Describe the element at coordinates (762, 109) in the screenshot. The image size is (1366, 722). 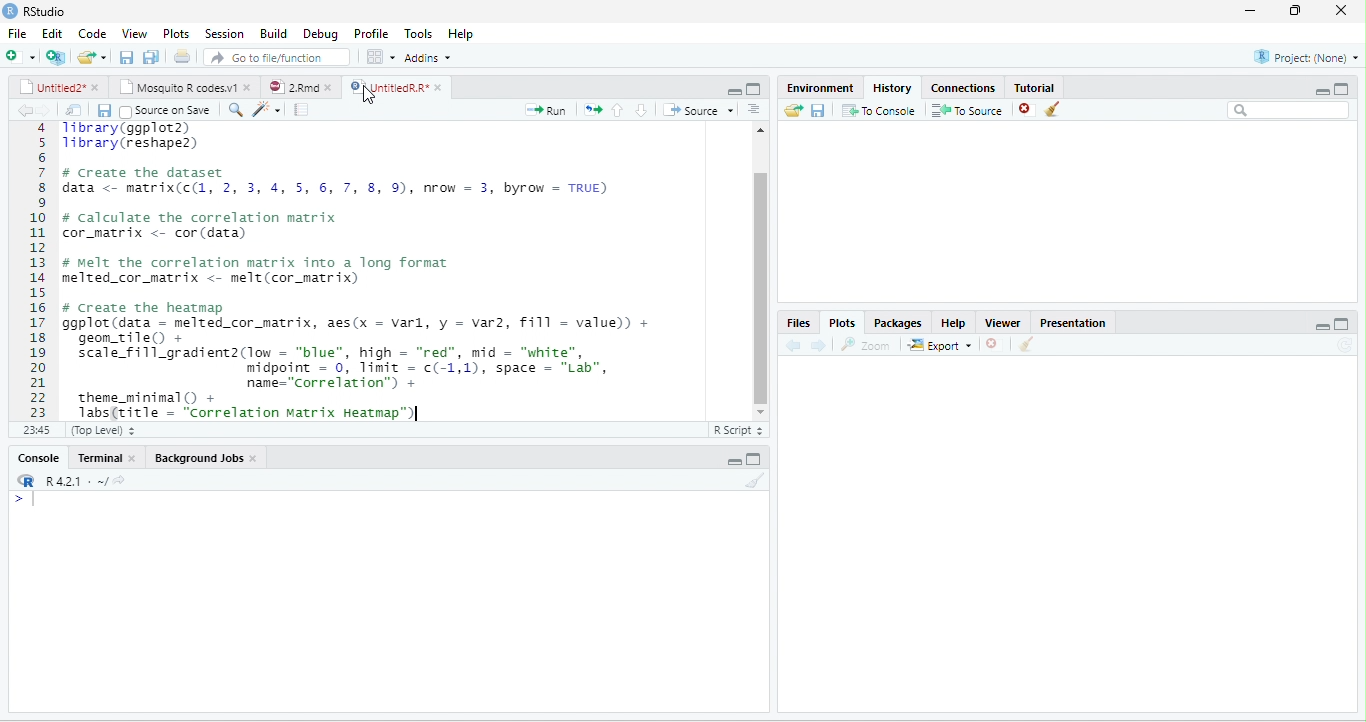
I see `` at that location.